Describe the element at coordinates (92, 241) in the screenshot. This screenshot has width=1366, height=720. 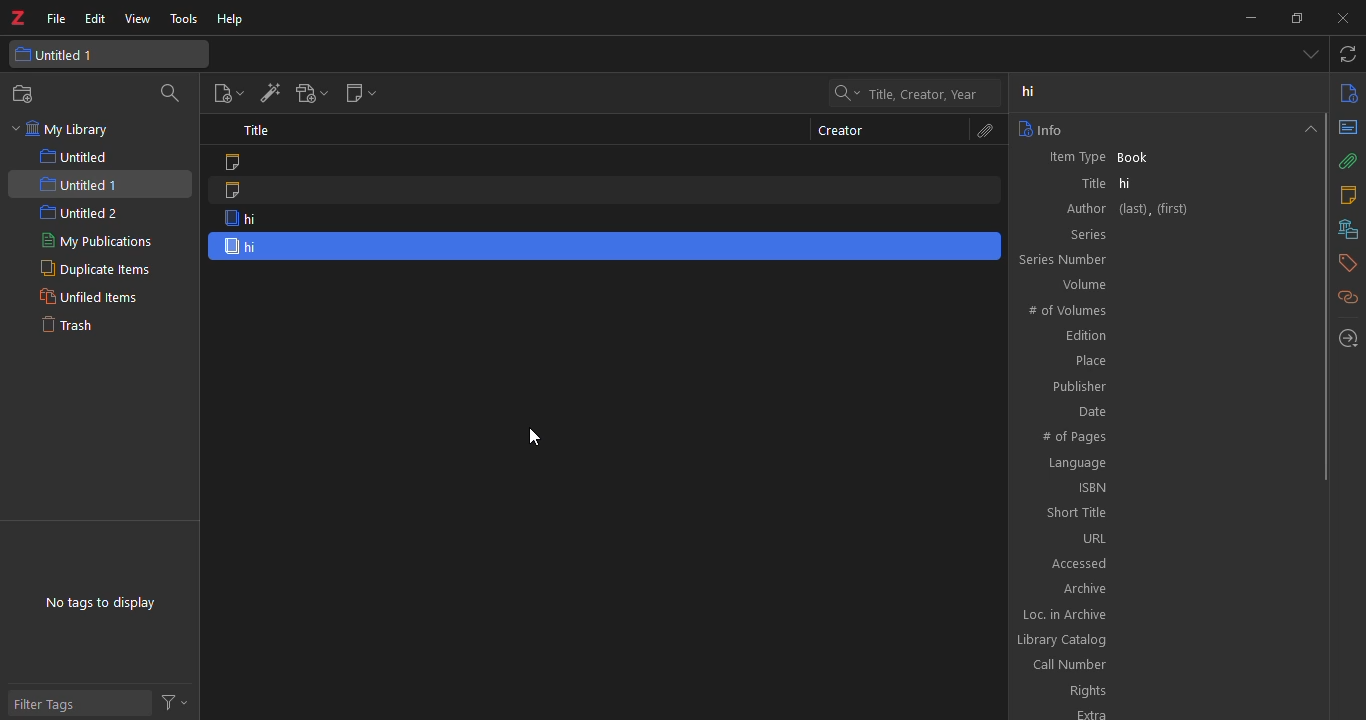
I see `my publications` at that location.